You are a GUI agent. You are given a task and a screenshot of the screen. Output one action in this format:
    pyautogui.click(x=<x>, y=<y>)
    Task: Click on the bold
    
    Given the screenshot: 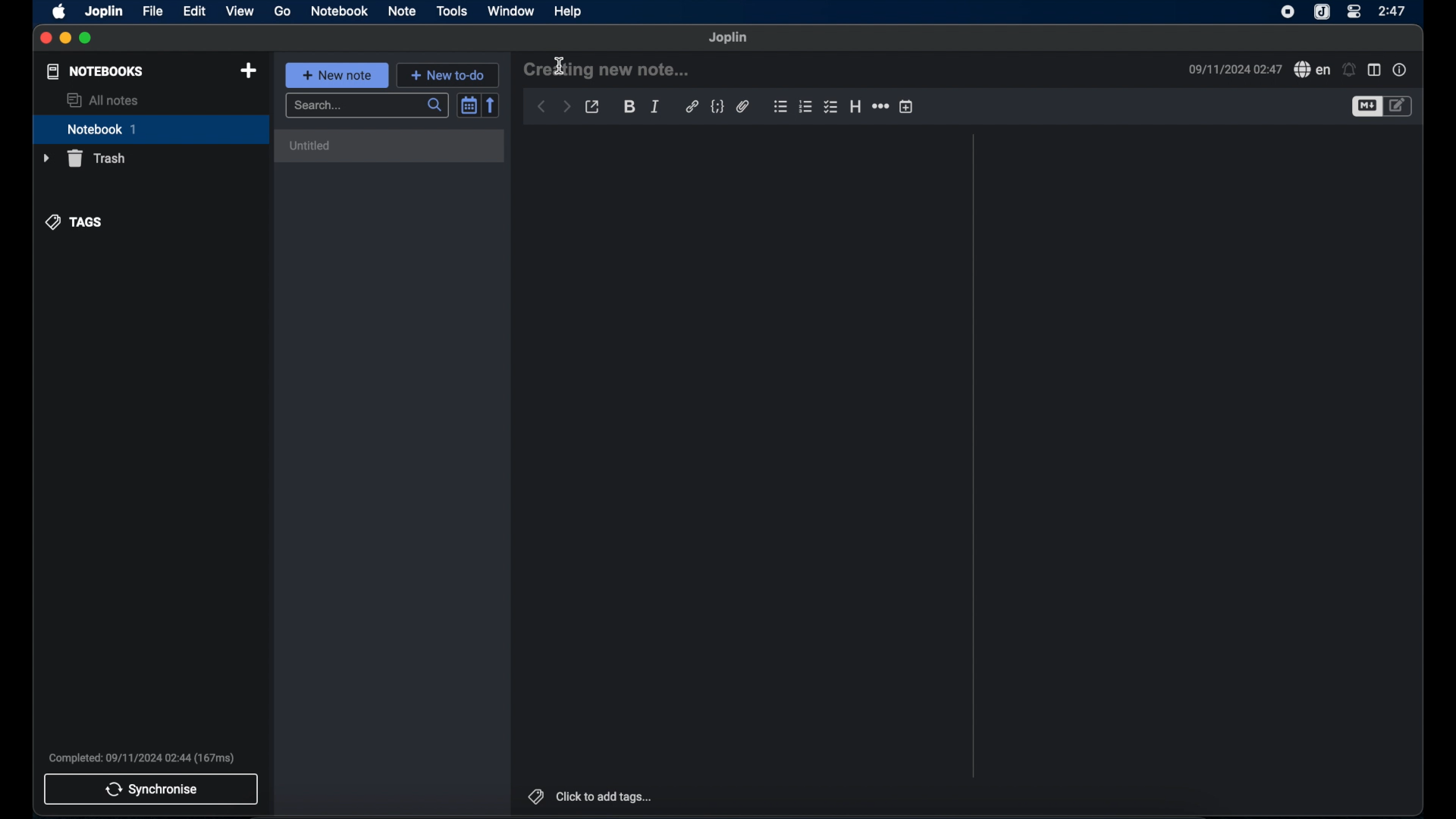 What is the action you would take?
    pyautogui.click(x=629, y=107)
    